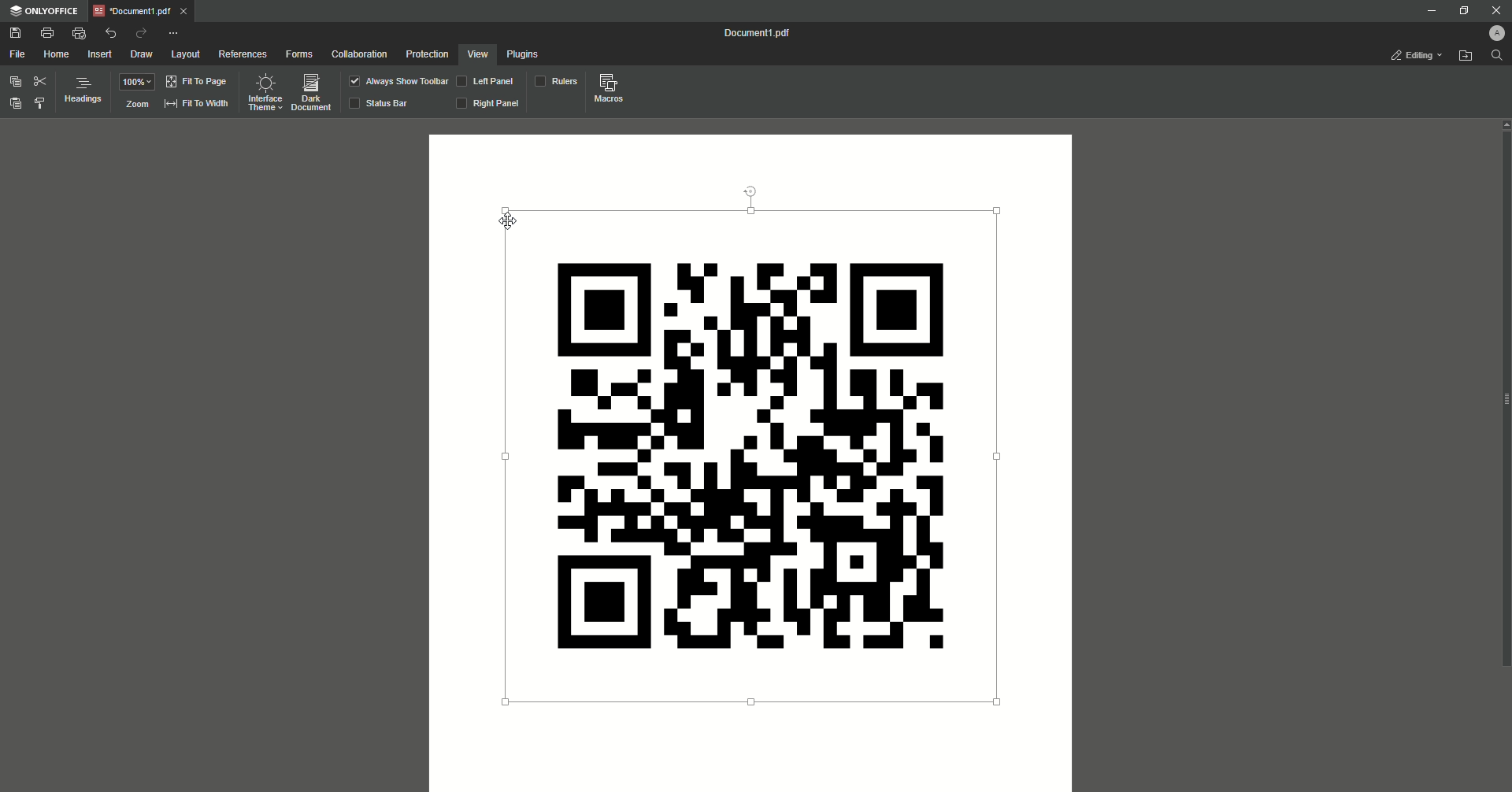 This screenshot has width=1512, height=792. I want to click on Home, so click(60, 54).